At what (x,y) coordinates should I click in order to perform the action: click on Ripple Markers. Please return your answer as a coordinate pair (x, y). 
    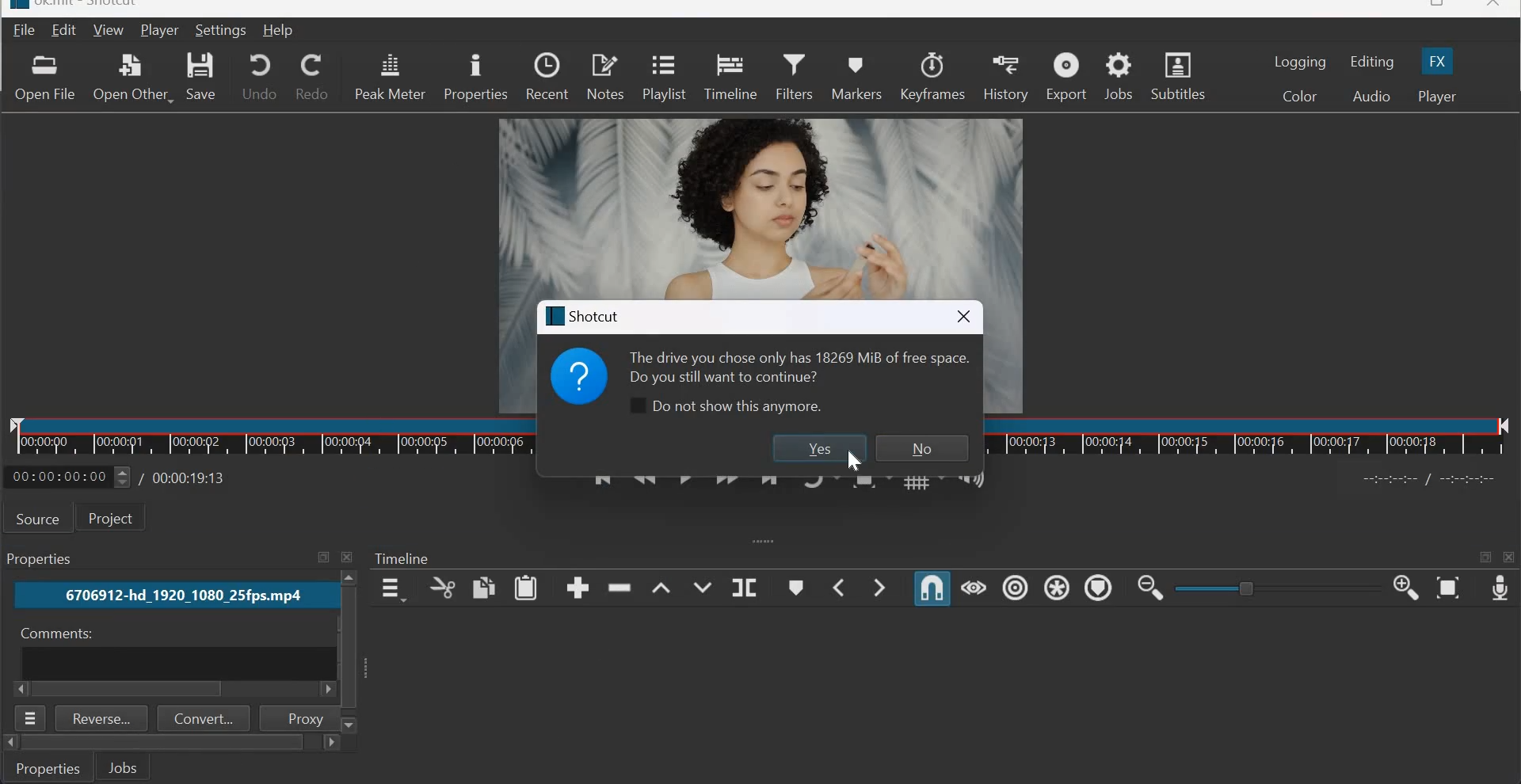
    Looking at the image, I should click on (1097, 587).